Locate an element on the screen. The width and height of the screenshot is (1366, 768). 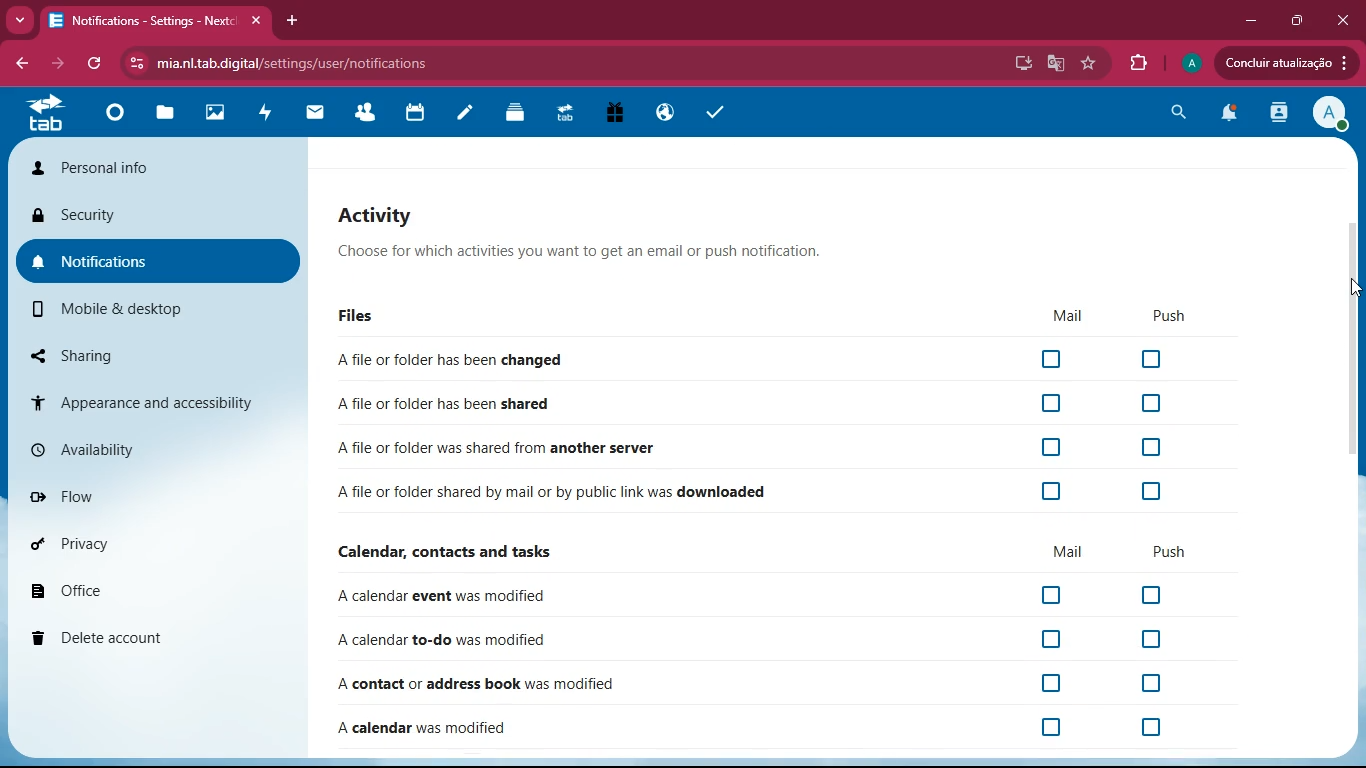
Calendar, contacts and tasks is located at coordinates (443, 554).